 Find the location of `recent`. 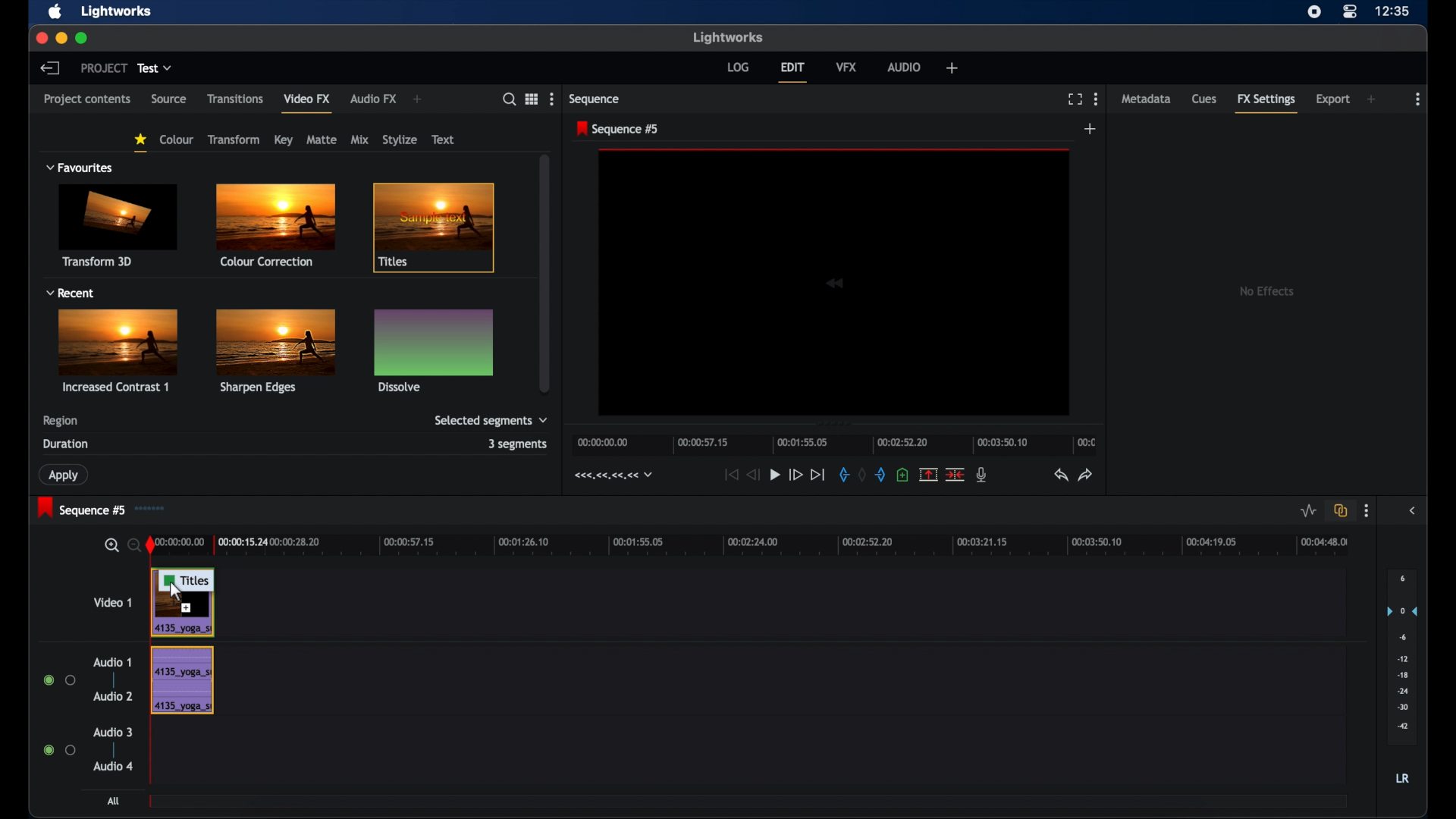

recent is located at coordinates (70, 293).